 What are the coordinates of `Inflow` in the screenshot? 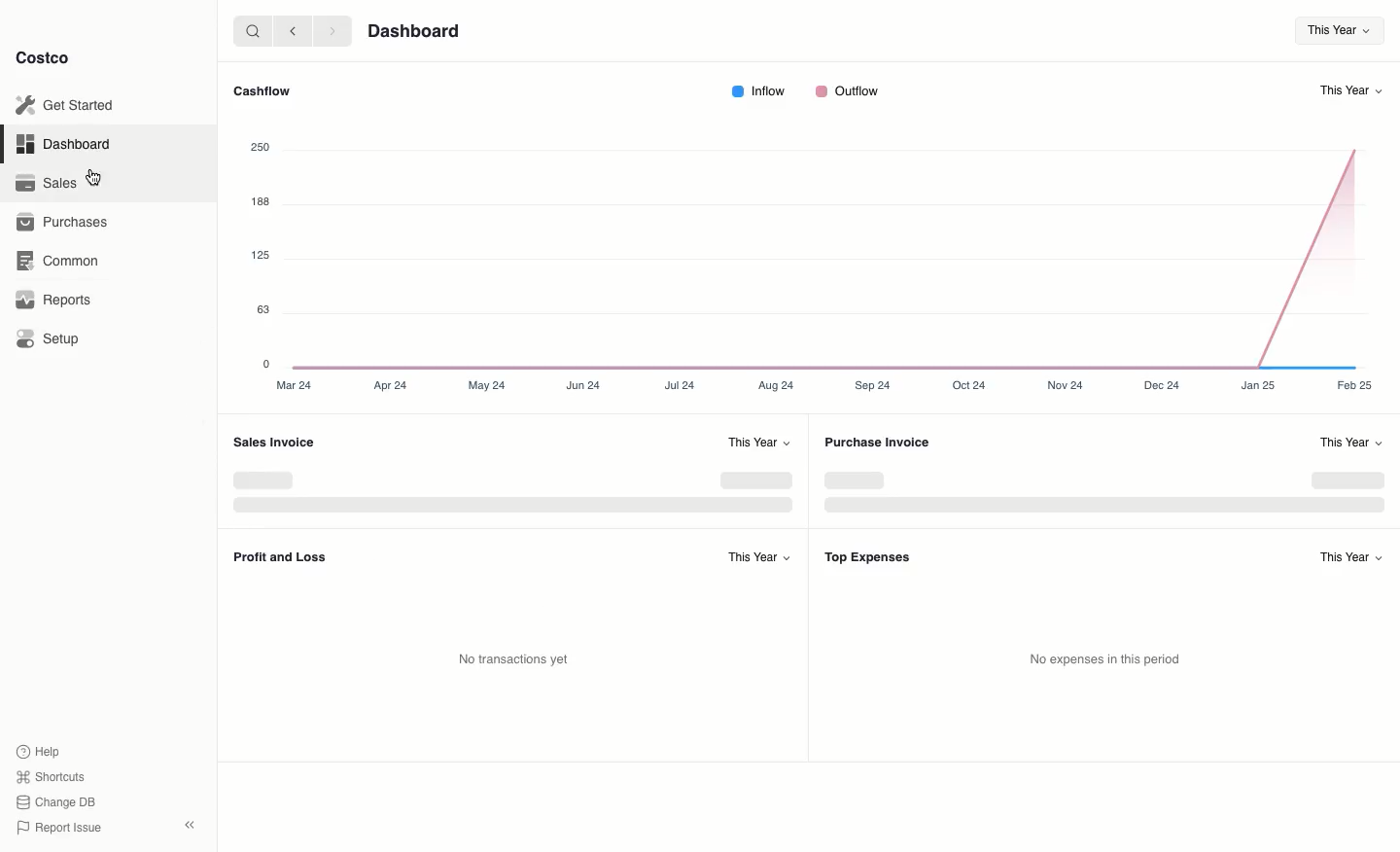 It's located at (757, 91).